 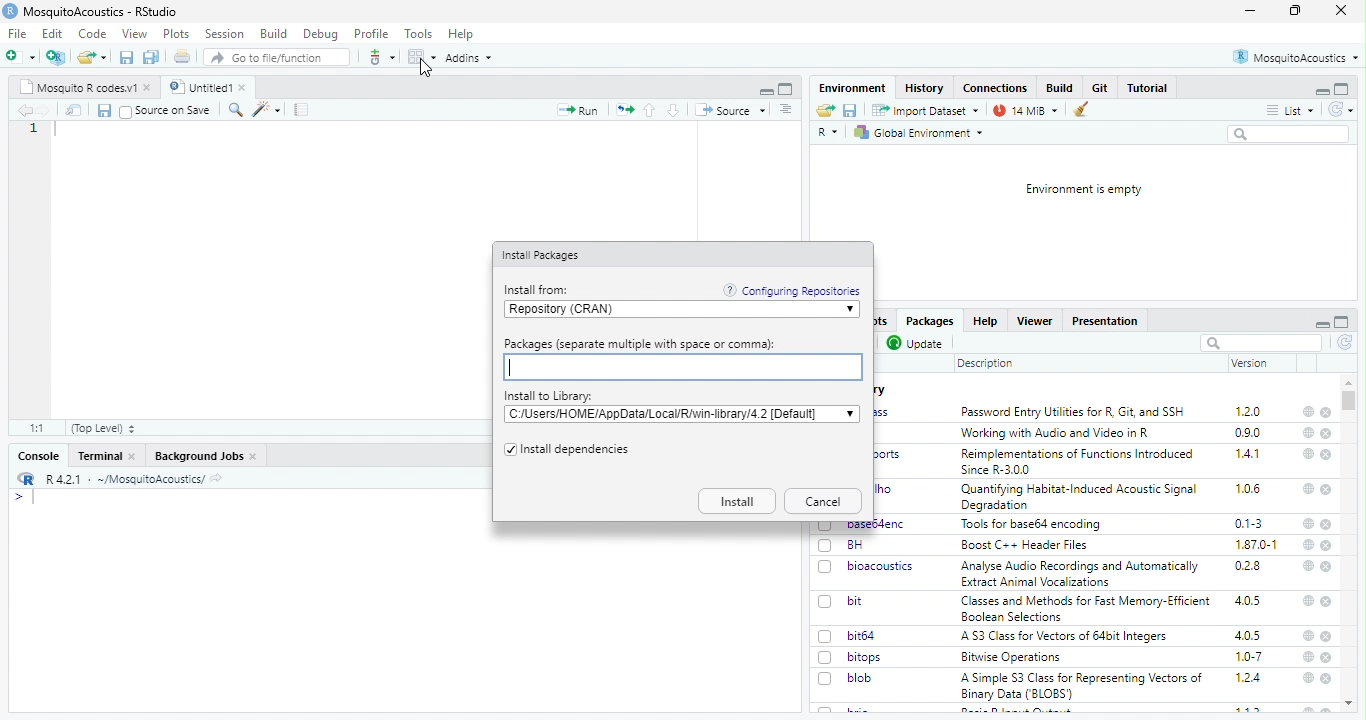 I want to click on Code, so click(x=94, y=33).